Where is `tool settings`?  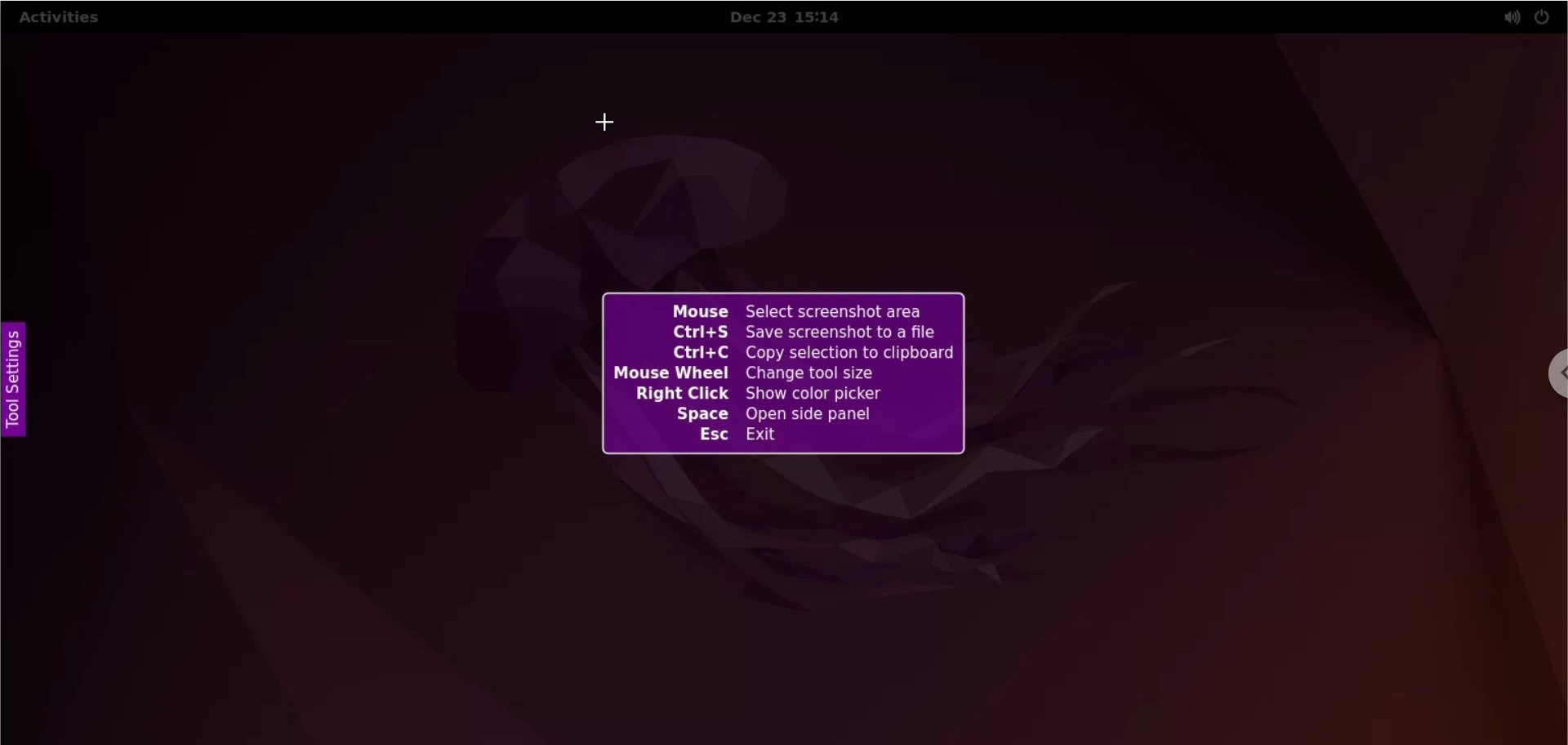
tool settings is located at coordinates (16, 383).